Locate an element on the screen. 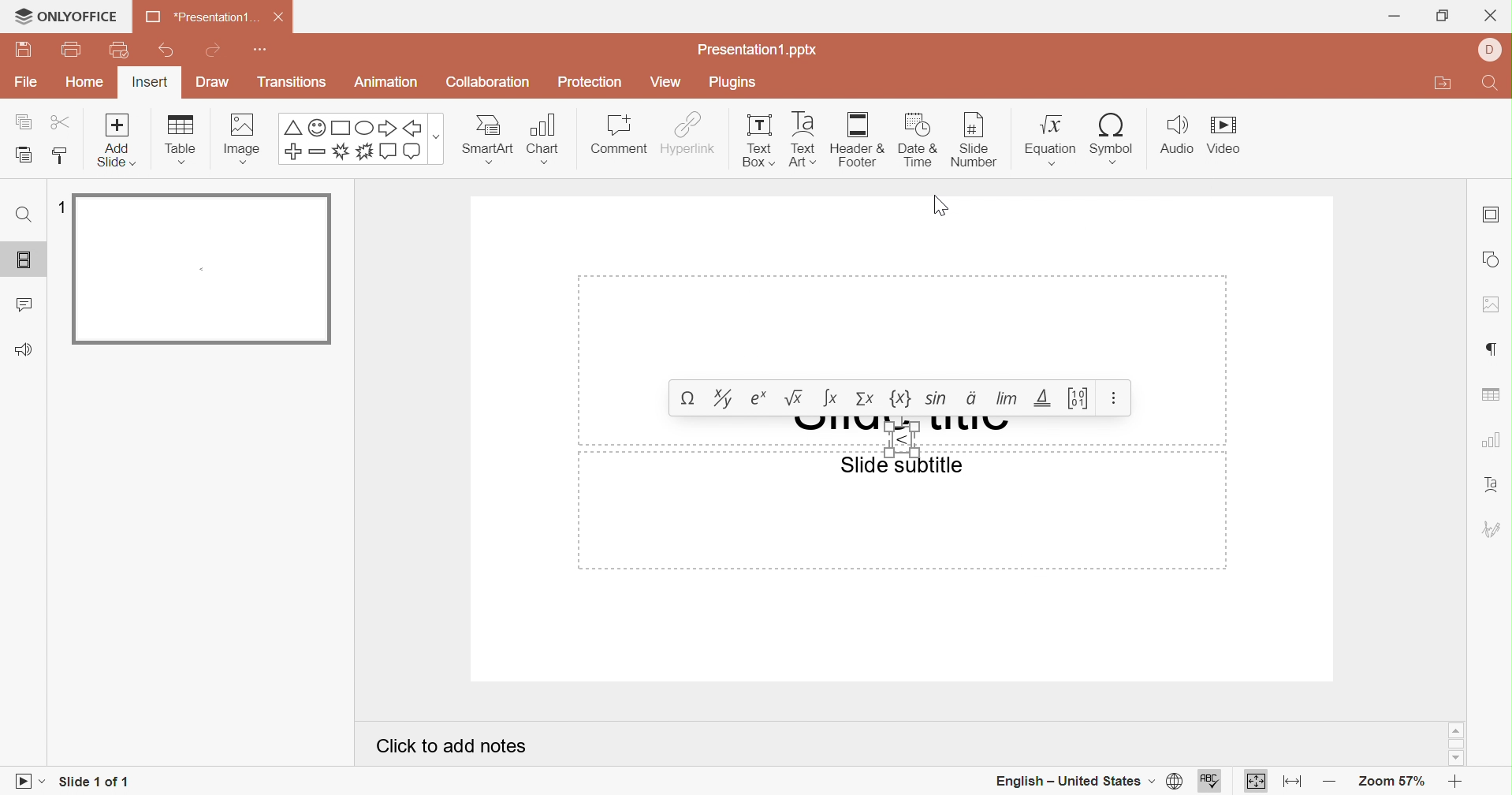 The image size is (1512, 795). Text Art settings is located at coordinates (1492, 484).